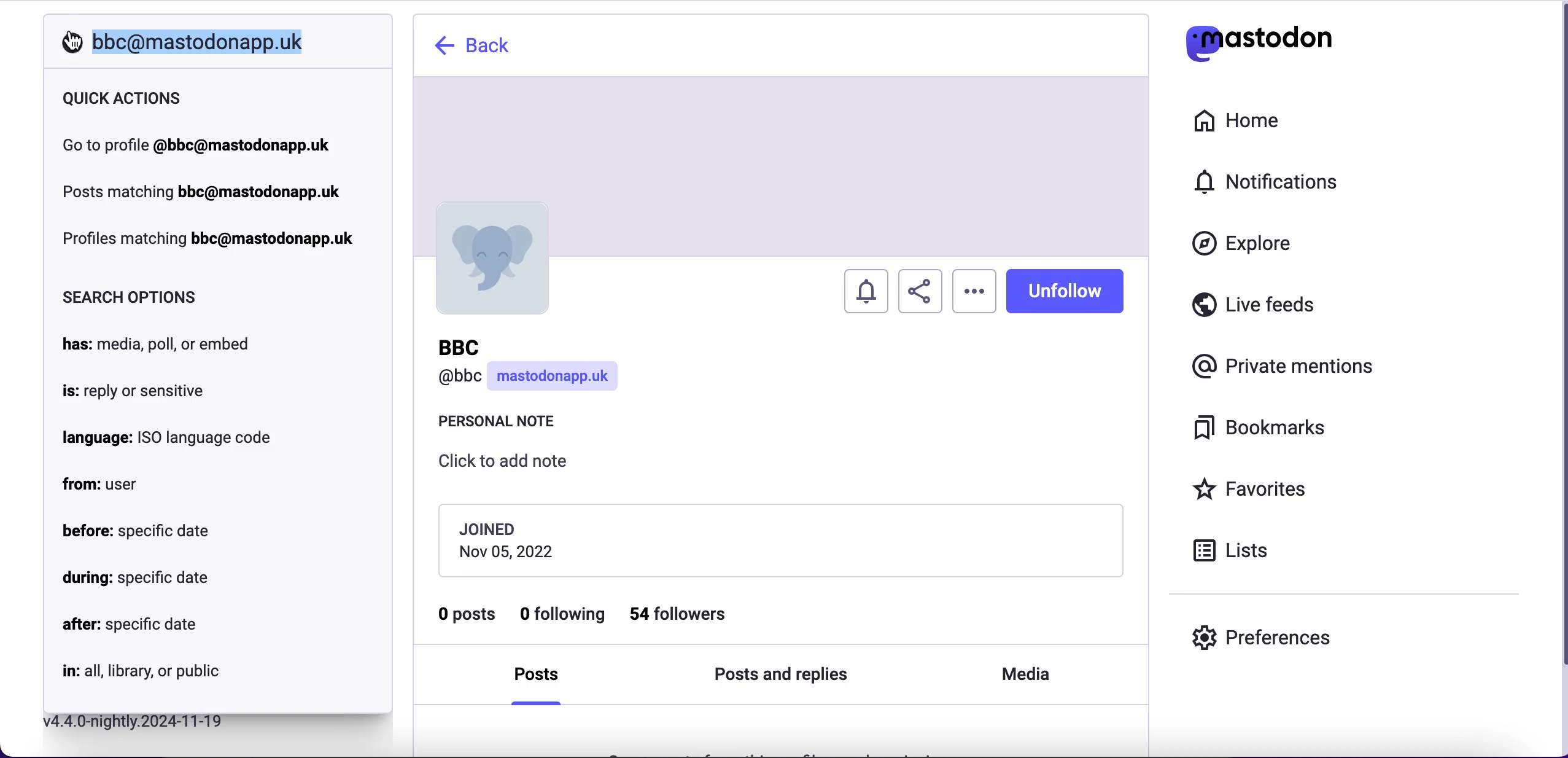  What do you see at coordinates (1254, 309) in the screenshot?
I see `live feeds` at bounding box center [1254, 309].